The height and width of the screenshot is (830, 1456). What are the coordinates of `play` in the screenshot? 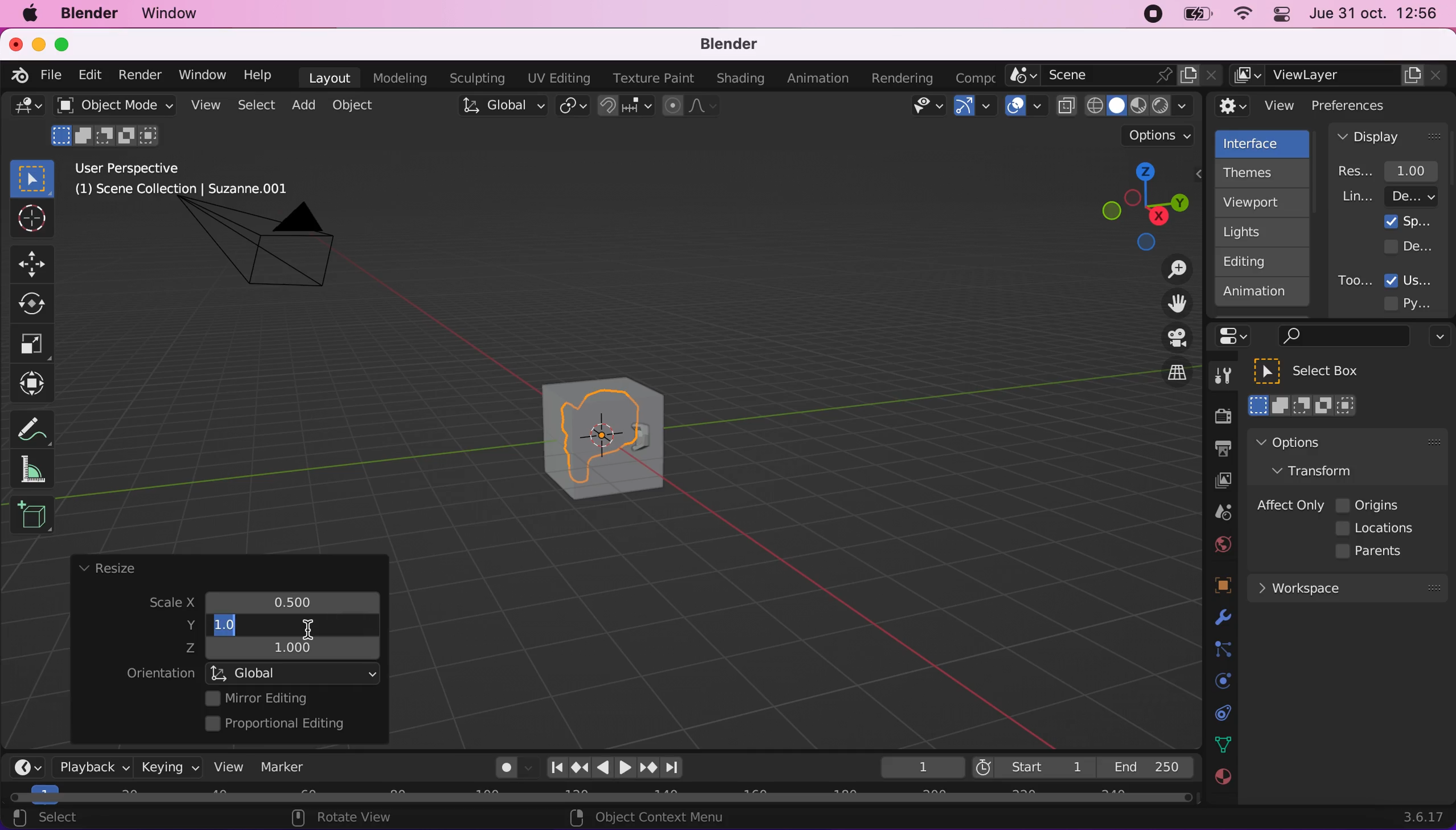 It's located at (615, 768).